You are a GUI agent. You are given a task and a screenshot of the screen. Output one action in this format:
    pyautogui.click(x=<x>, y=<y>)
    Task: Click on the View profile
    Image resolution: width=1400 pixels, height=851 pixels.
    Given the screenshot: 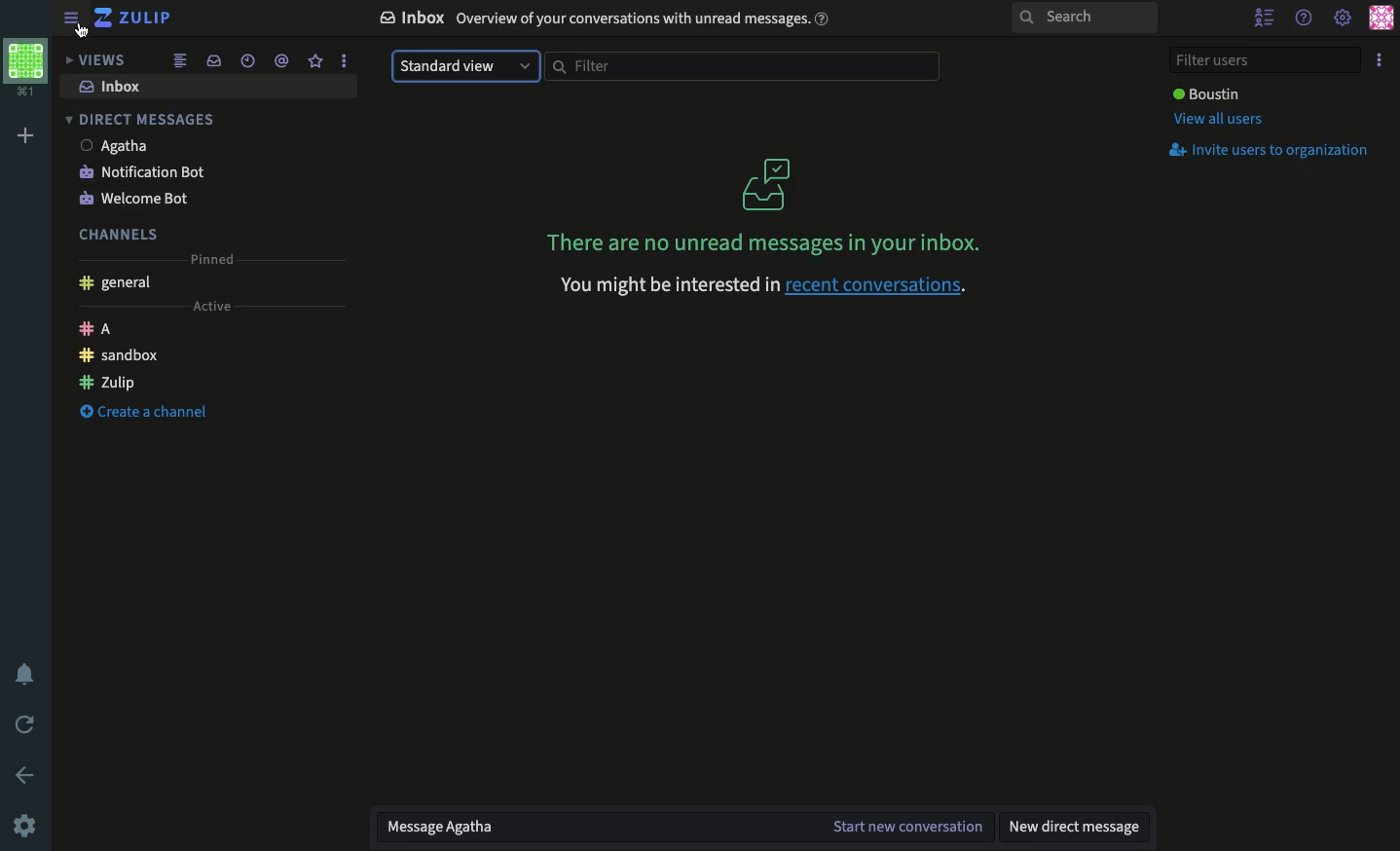 What is the action you would take?
    pyautogui.click(x=25, y=67)
    